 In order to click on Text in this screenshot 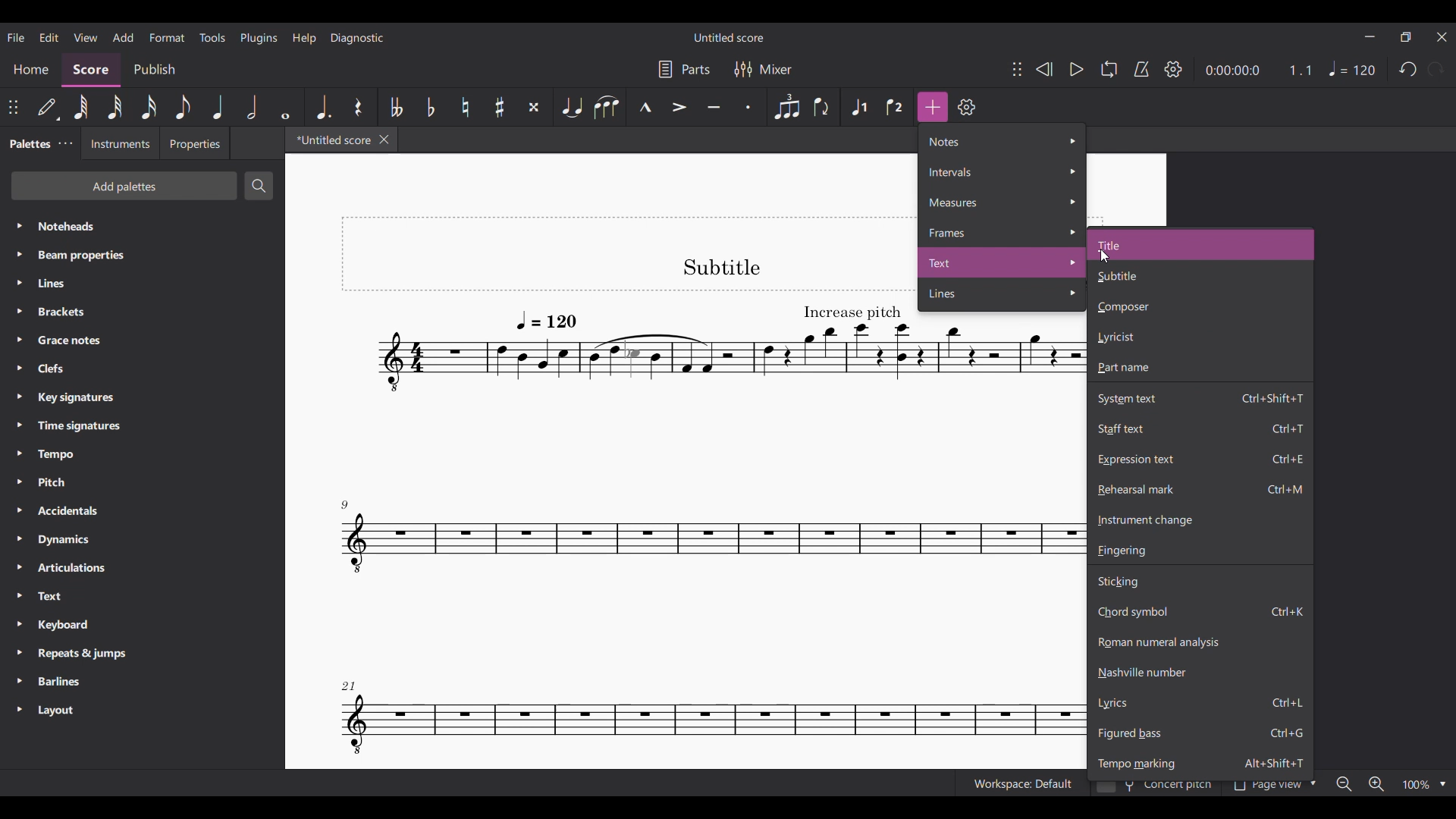, I will do `click(143, 596)`.